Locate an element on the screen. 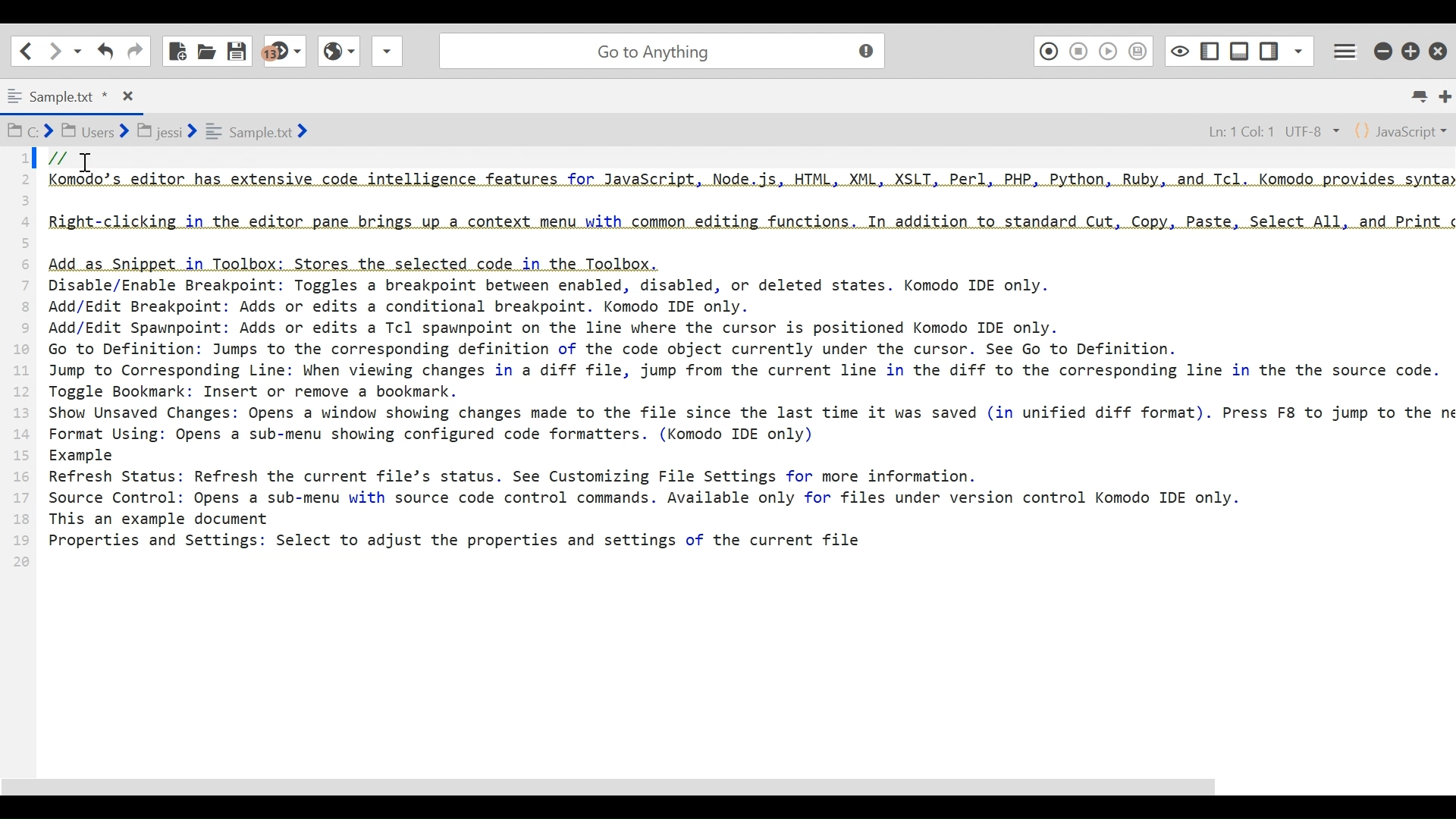 This screenshot has height=819, width=1456. Show/Hide Right Side Panel is located at coordinates (1209, 49).